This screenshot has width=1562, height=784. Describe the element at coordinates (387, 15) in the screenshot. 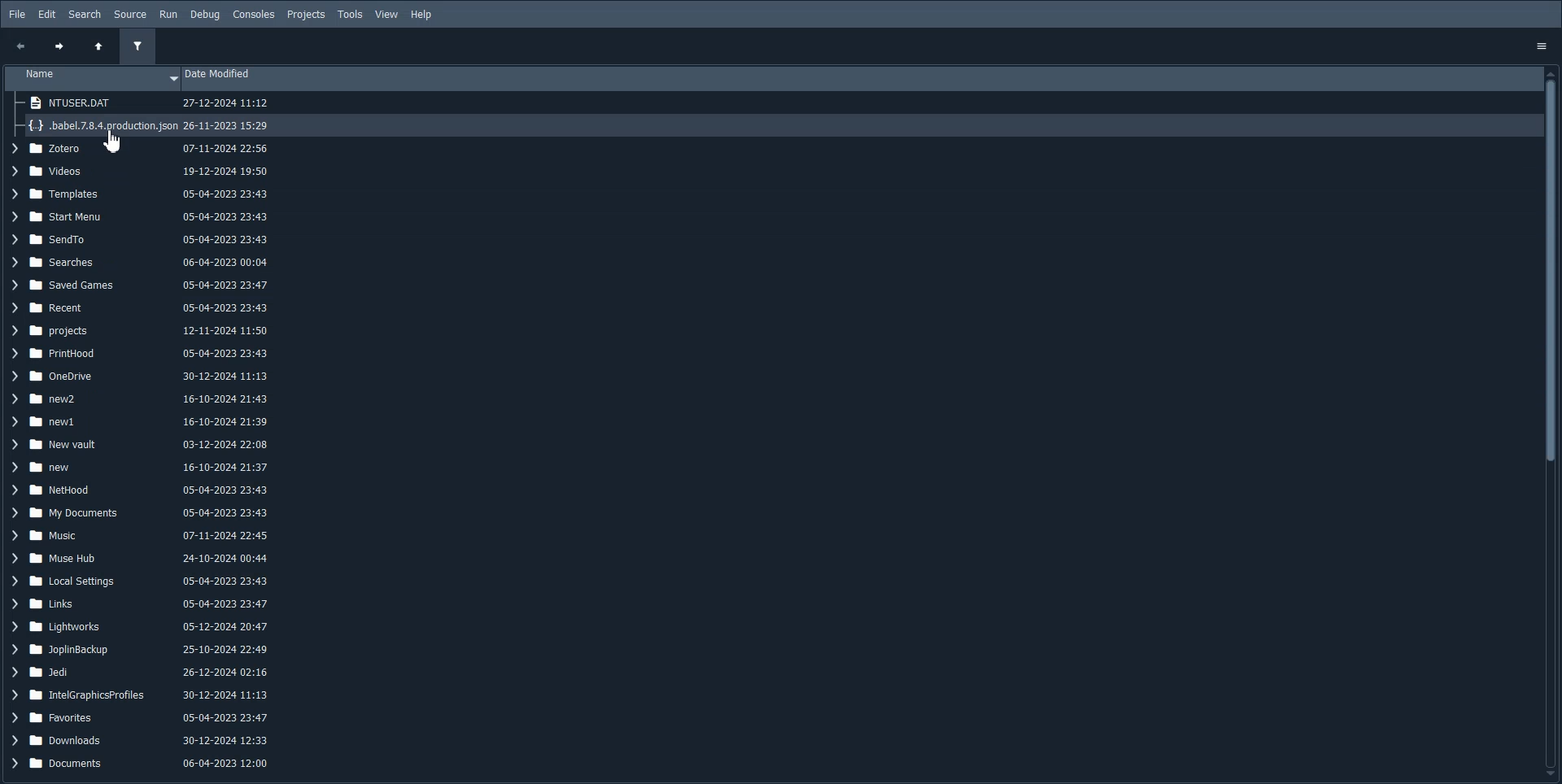

I see `View` at that location.